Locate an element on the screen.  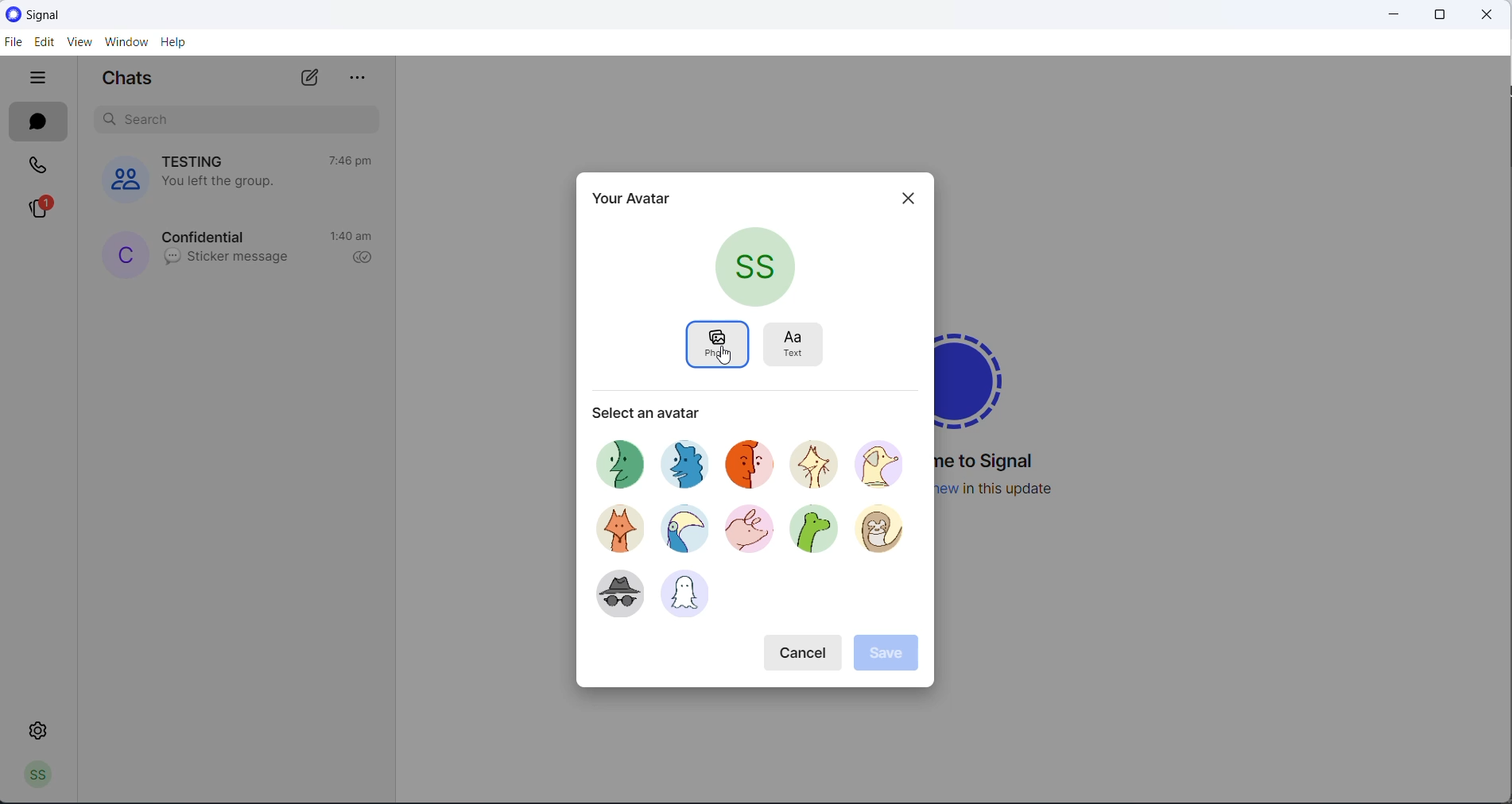
HELP is located at coordinates (174, 41).